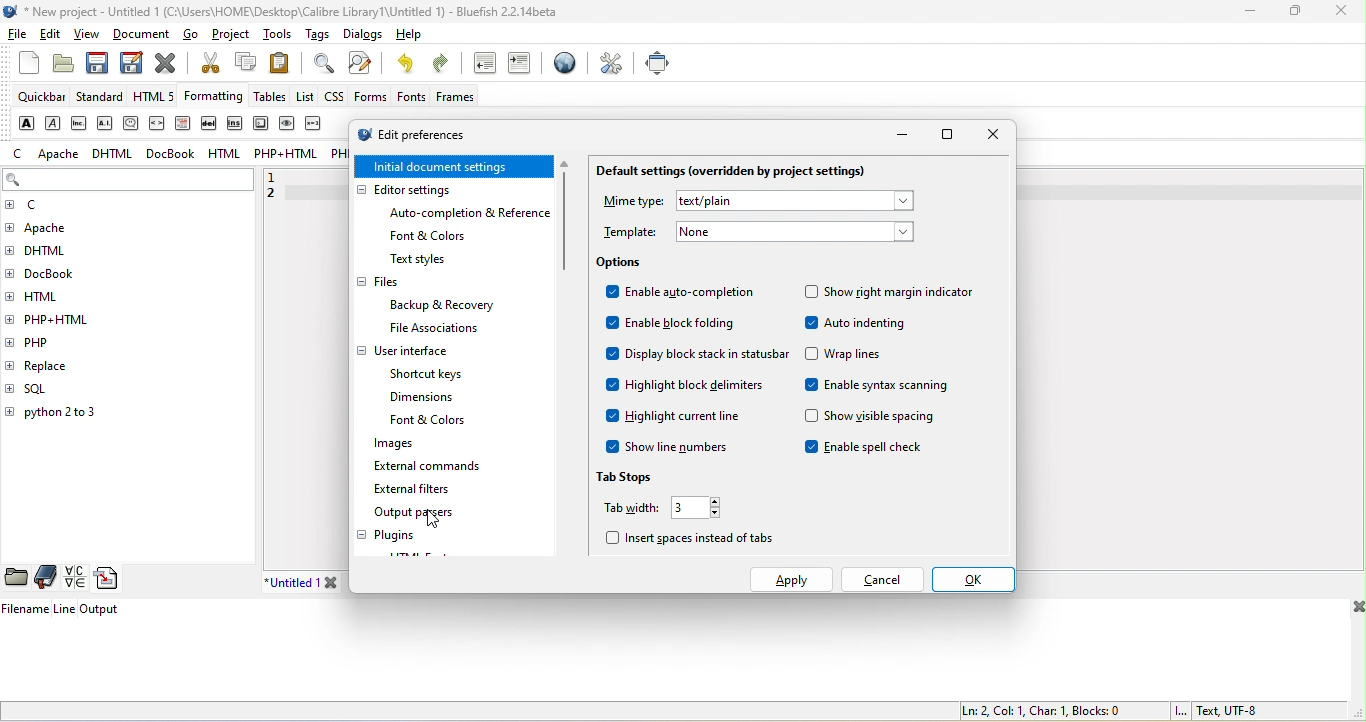  Describe the element at coordinates (658, 62) in the screenshot. I see `full screen` at that location.